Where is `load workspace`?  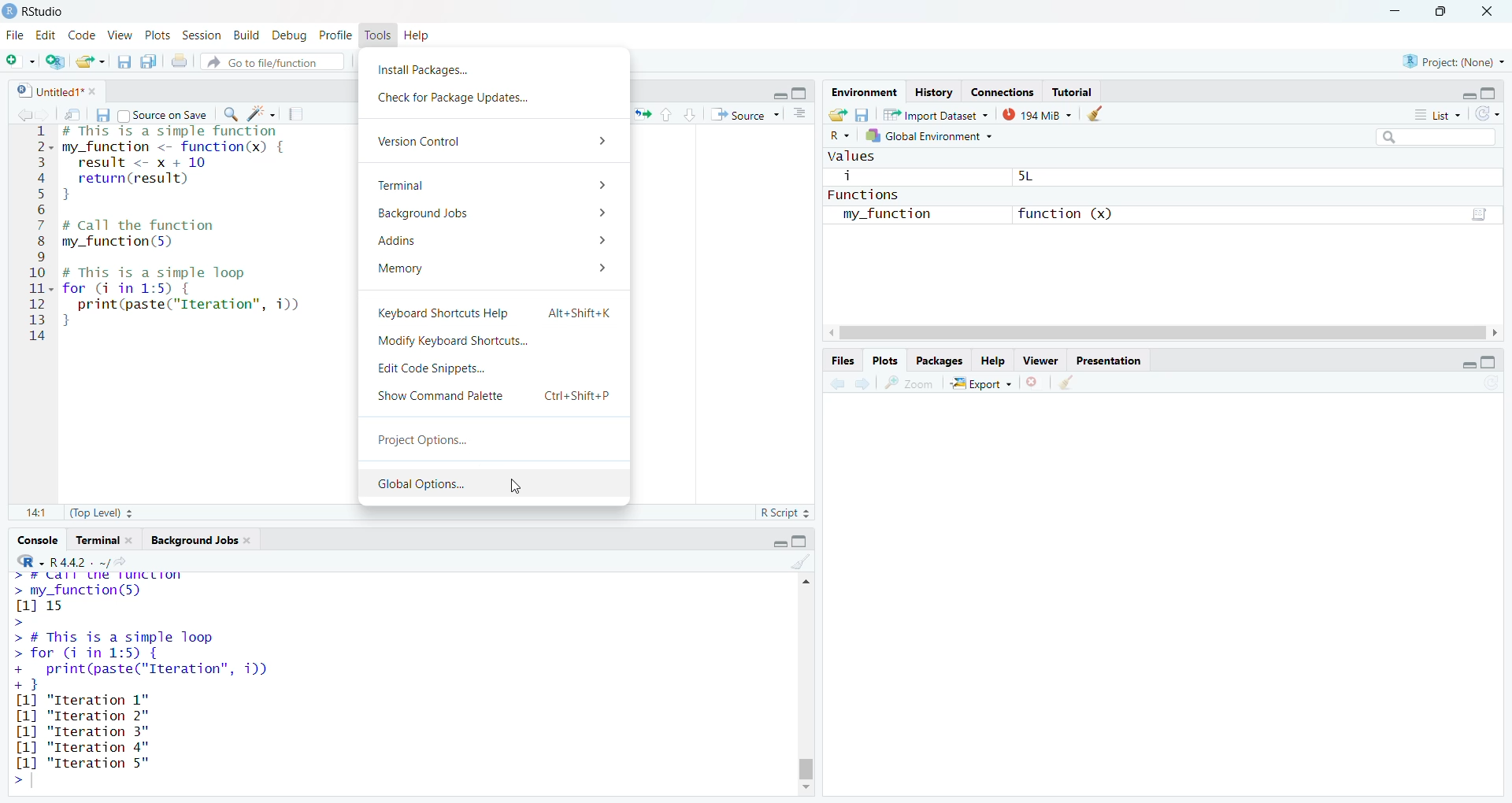 load workspace is located at coordinates (838, 115).